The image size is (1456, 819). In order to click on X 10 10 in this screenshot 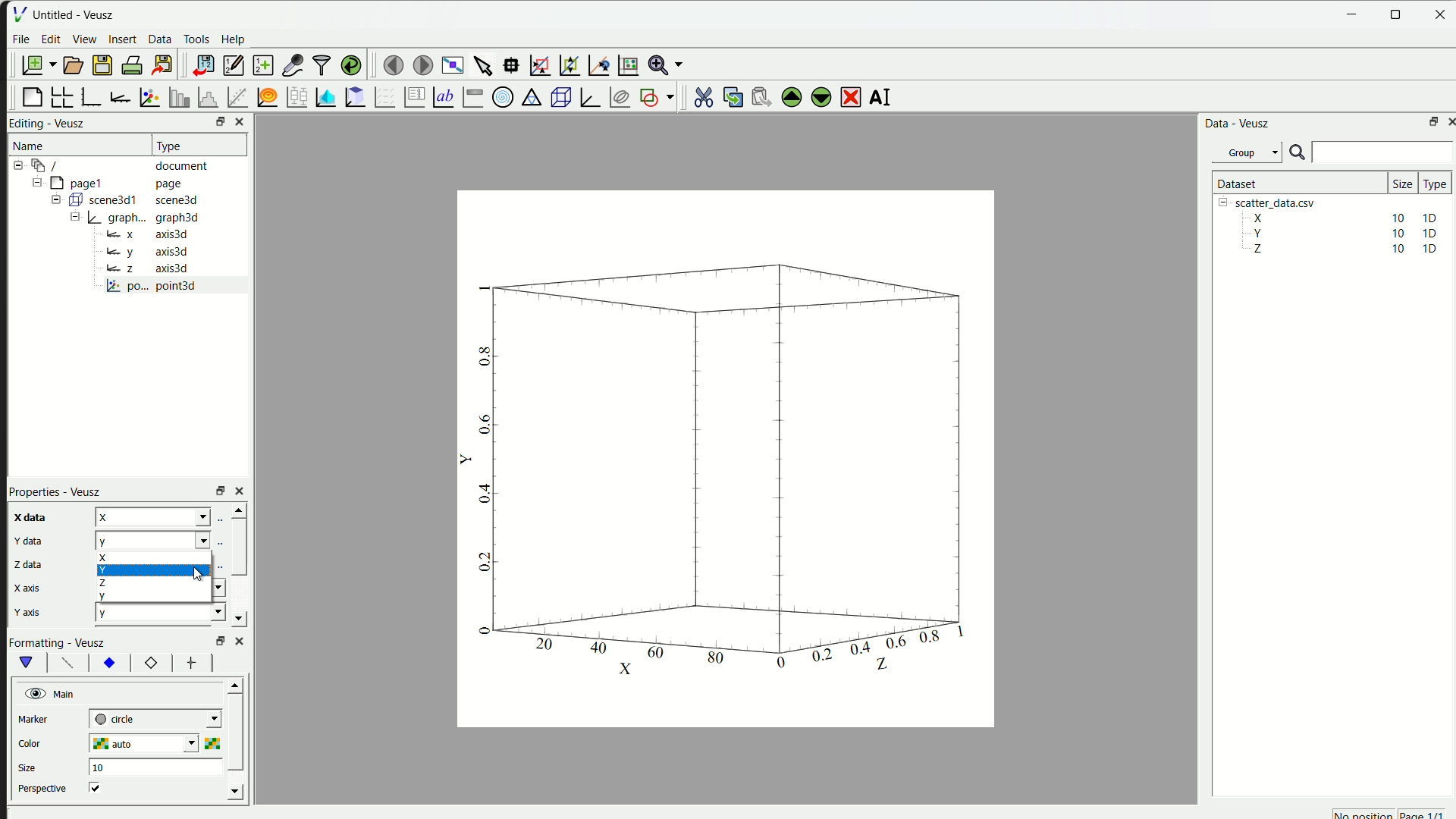, I will do `click(1339, 217)`.